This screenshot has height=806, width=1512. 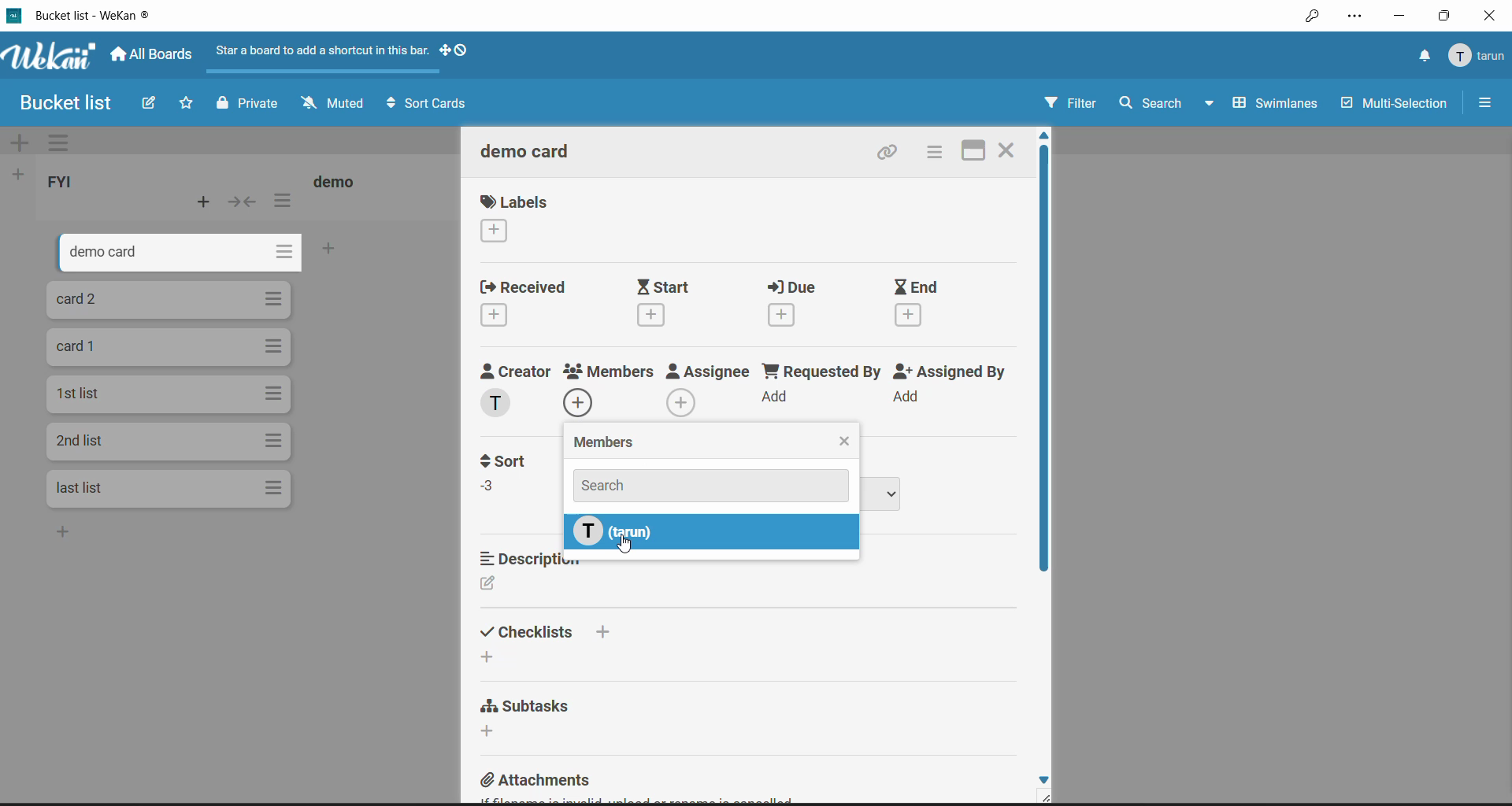 What do you see at coordinates (650, 316) in the screenshot?
I see `add date` at bounding box center [650, 316].